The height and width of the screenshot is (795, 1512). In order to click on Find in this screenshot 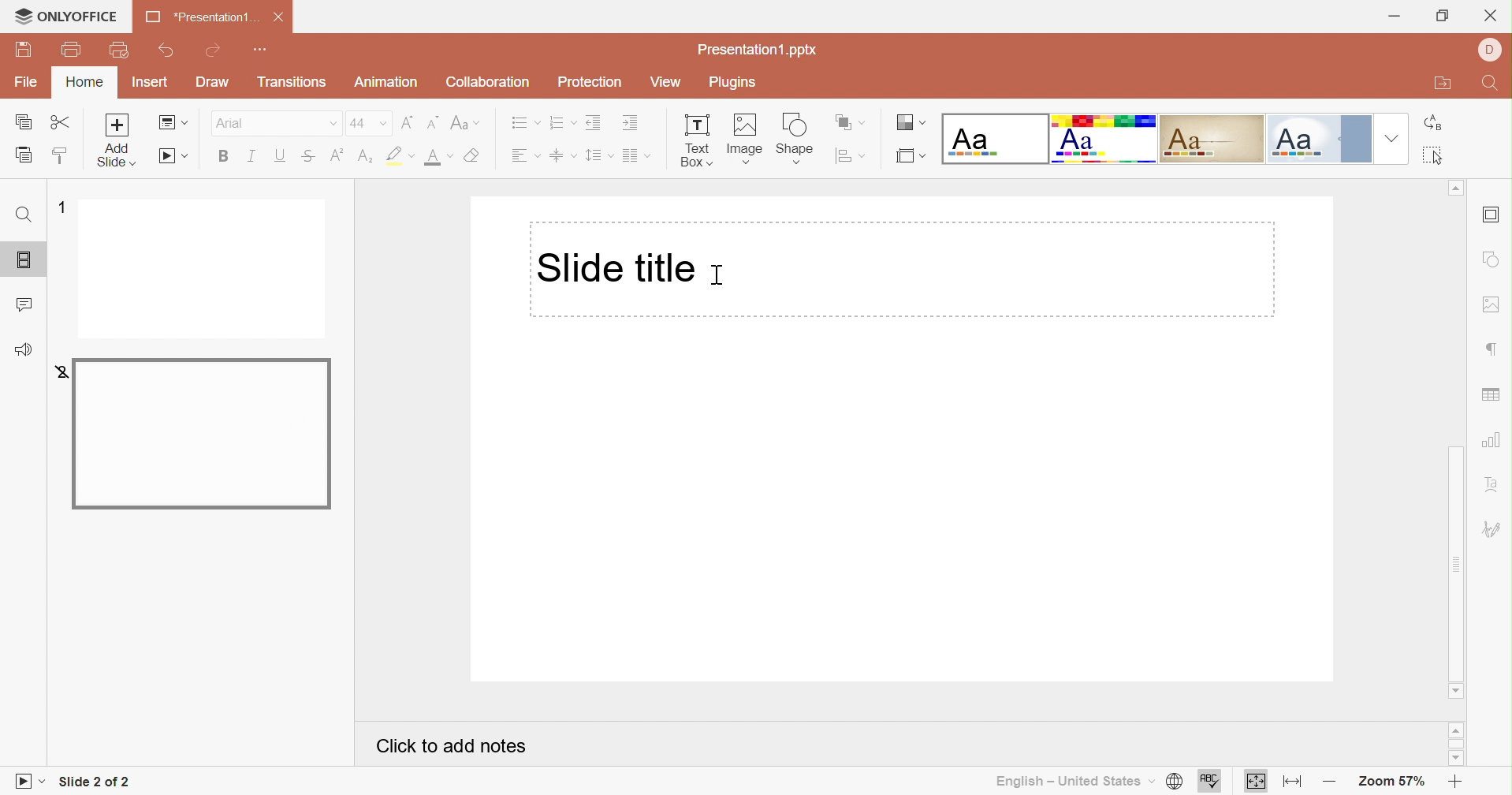, I will do `click(1494, 85)`.